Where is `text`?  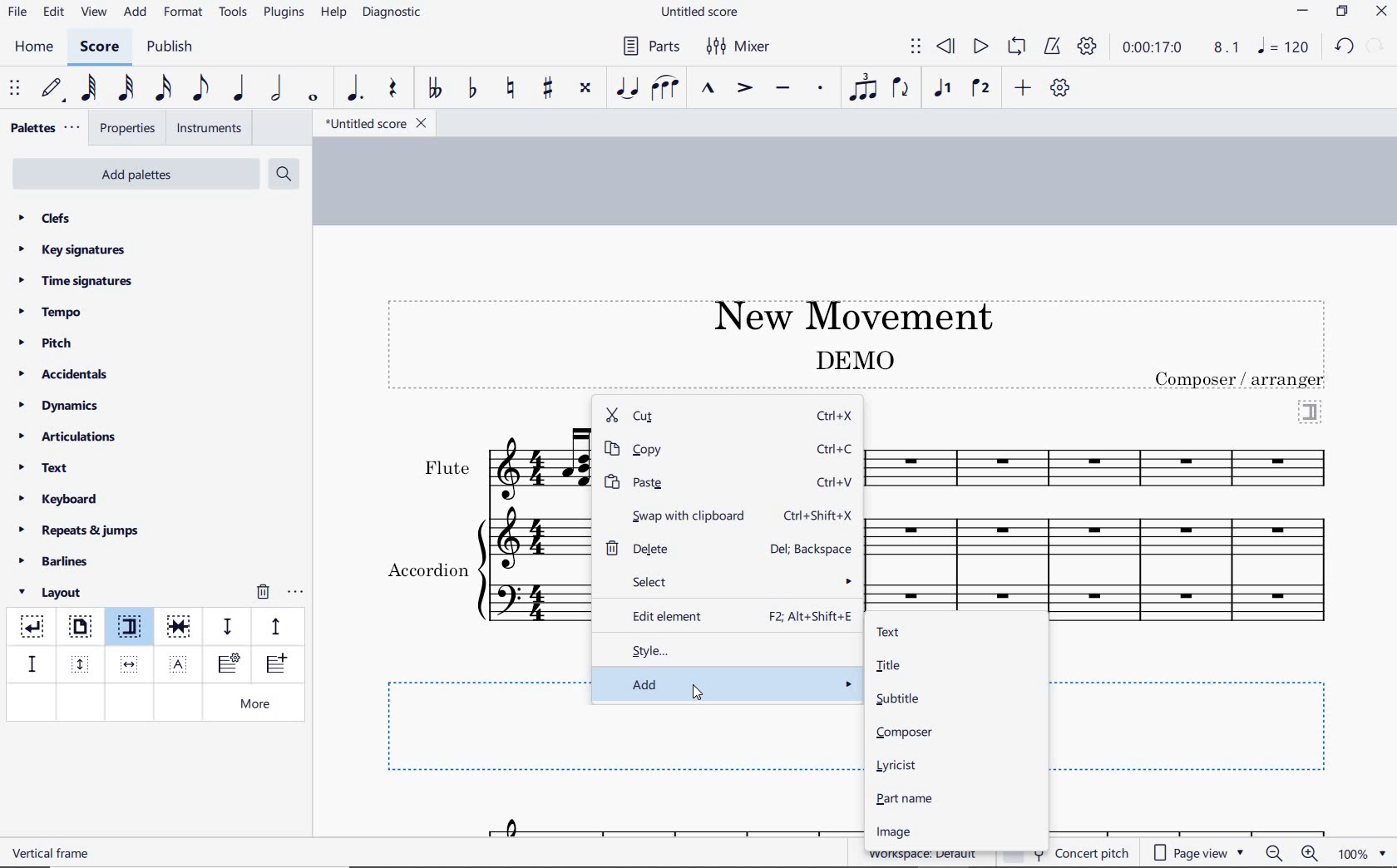
text is located at coordinates (446, 468).